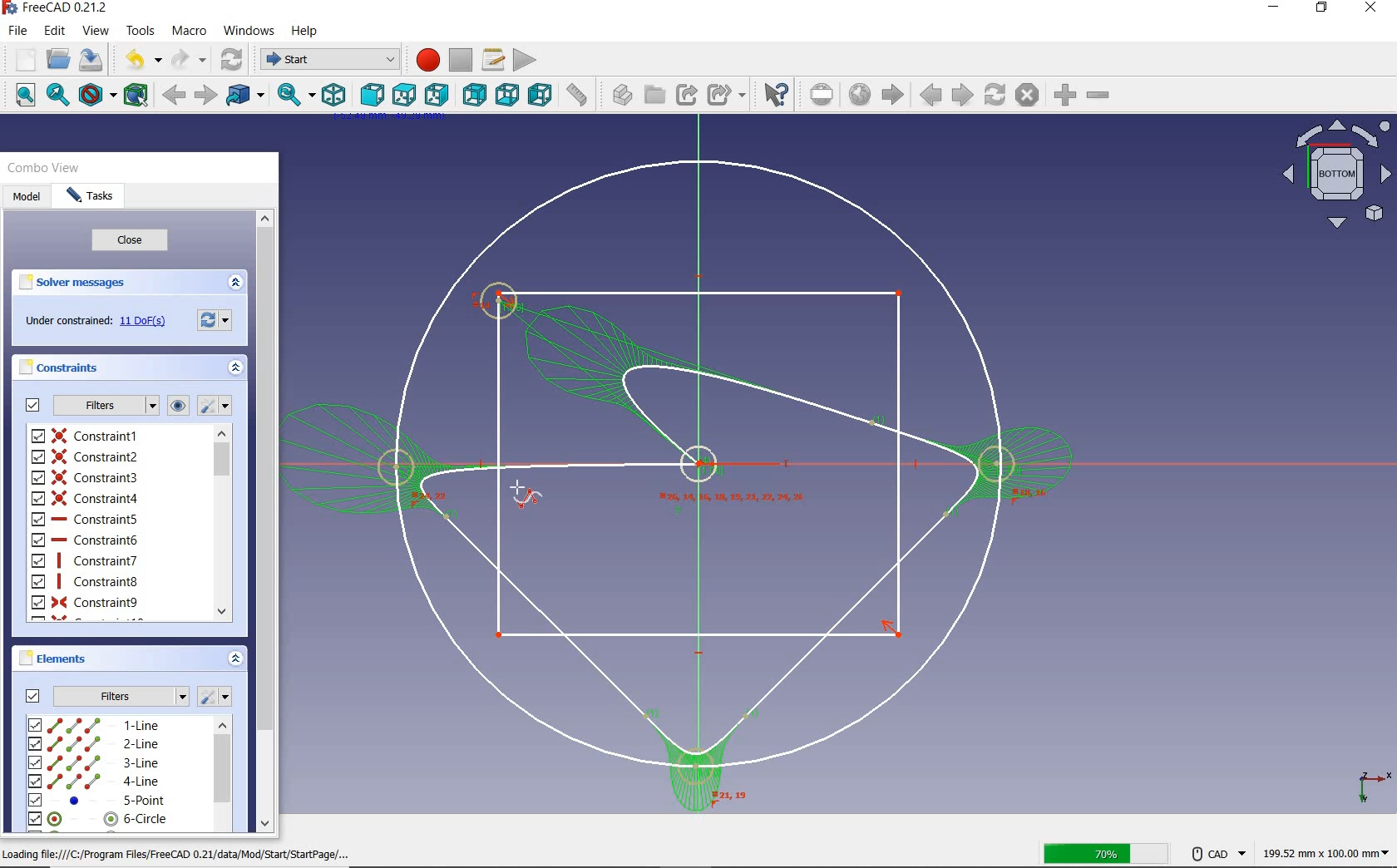 The width and height of the screenshot is (1397, 868). I want to click on constraint2, so click(85, 457).